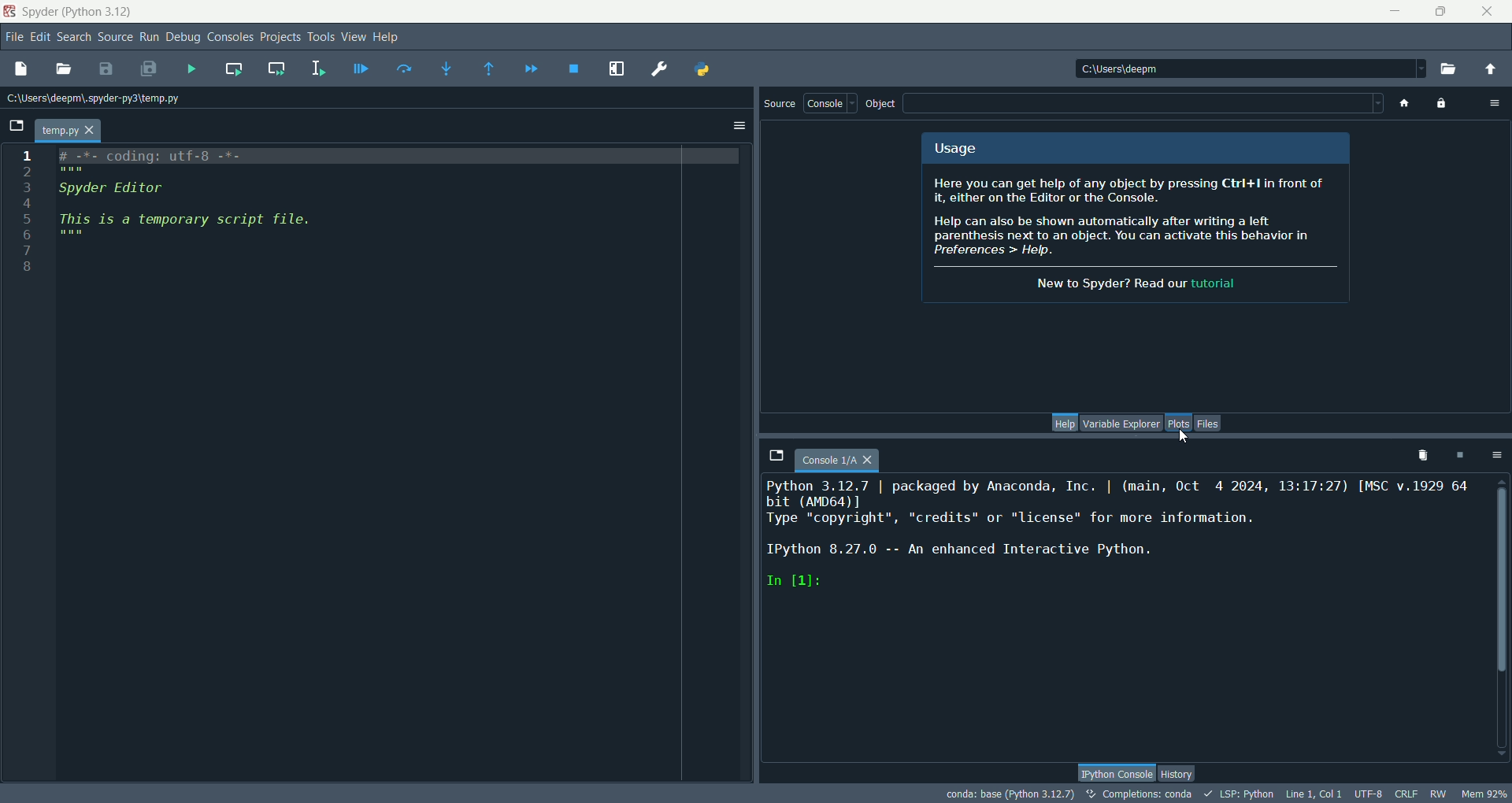 The height and width of the screenshot is (803, 1512). What do you see at coordinates (1483, 792) in the screenshot?
I see `Mem` at bounding box center [1483, 792].